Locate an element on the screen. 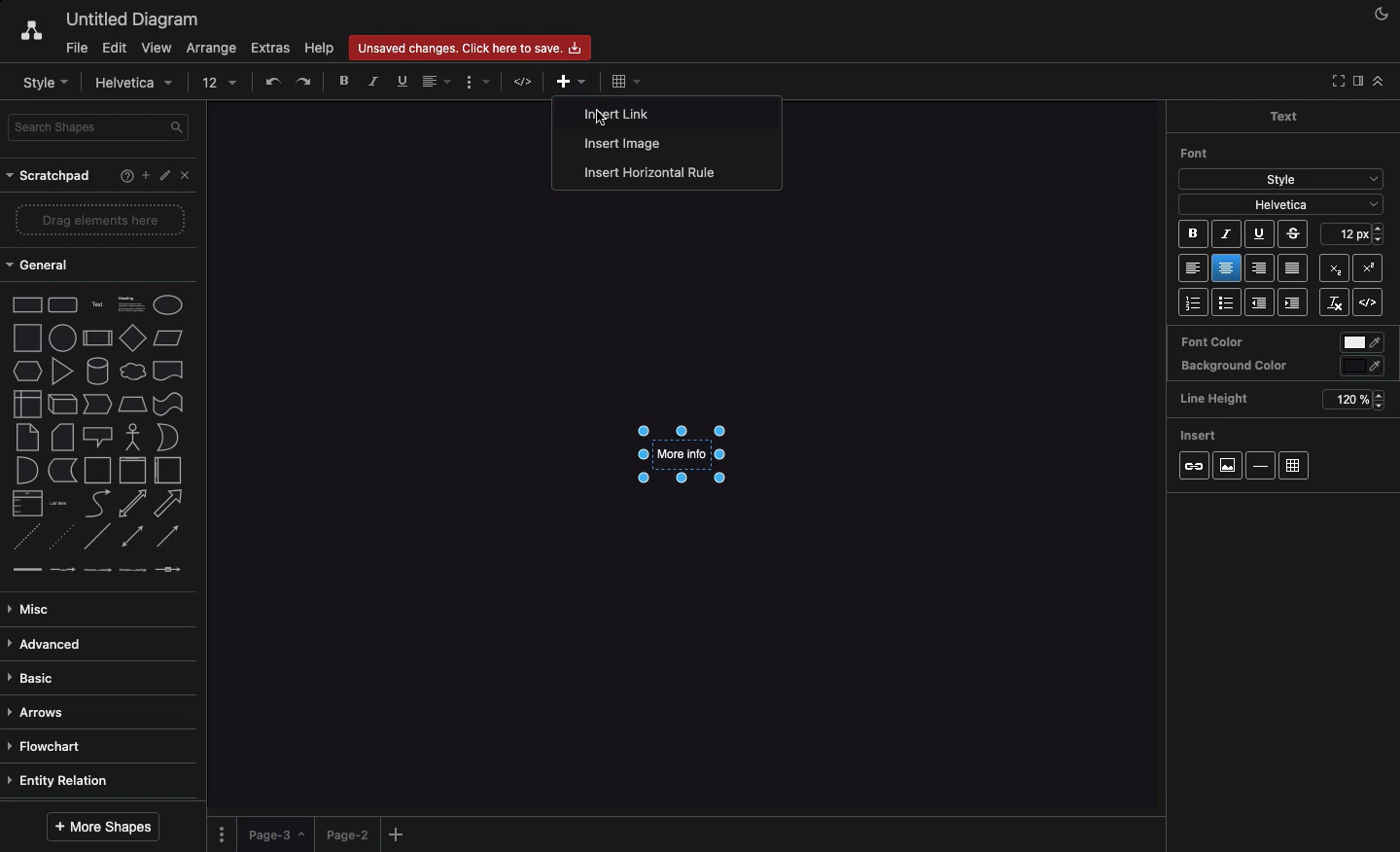 This screenshot has height=852, width=1400. callout is located at coordinates (98, 438).